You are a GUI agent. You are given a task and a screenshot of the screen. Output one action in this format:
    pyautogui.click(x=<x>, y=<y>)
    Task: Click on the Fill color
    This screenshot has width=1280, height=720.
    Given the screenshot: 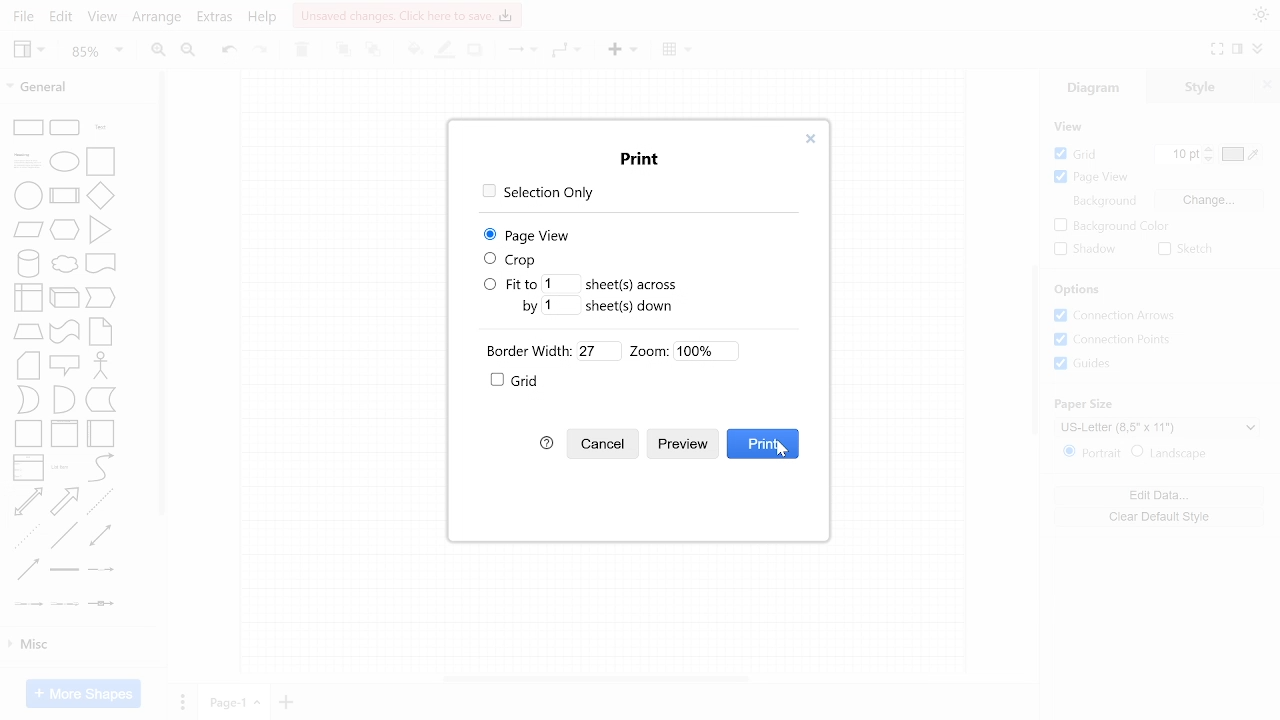 What is the action you would take?
    pyautogui.click(x=412, y=49)
    